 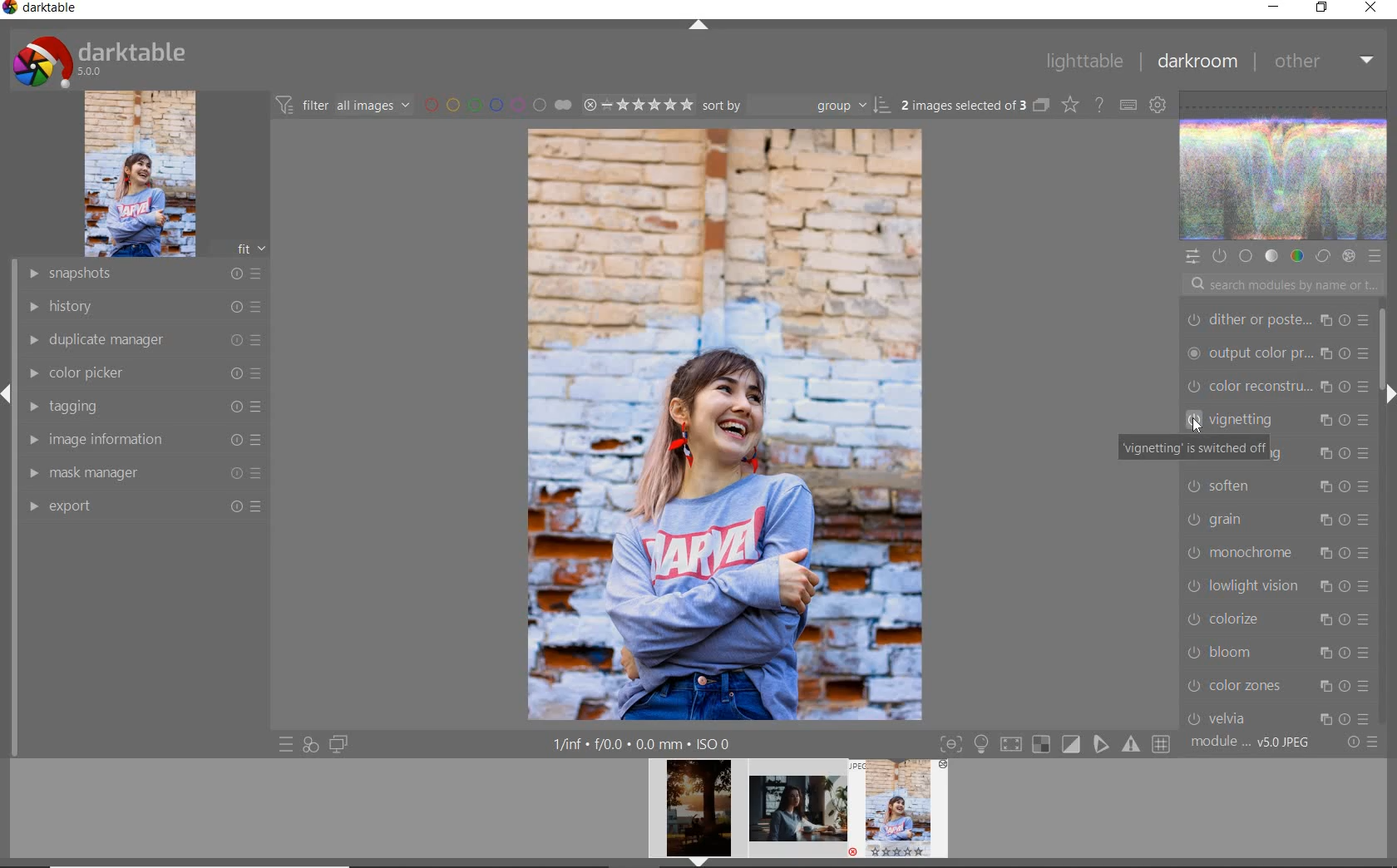 I want to click on image information, so click(x=144, y=438).